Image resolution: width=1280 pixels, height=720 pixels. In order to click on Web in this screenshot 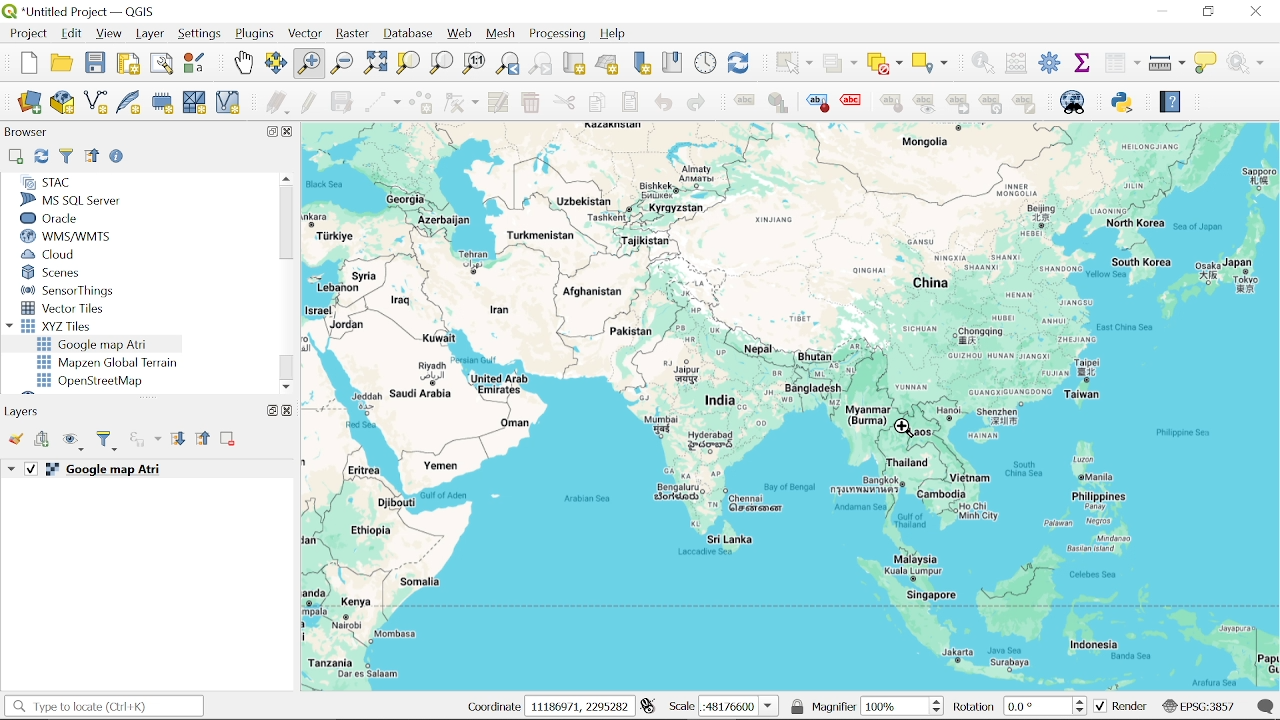, I will do `click(460, 34)`.